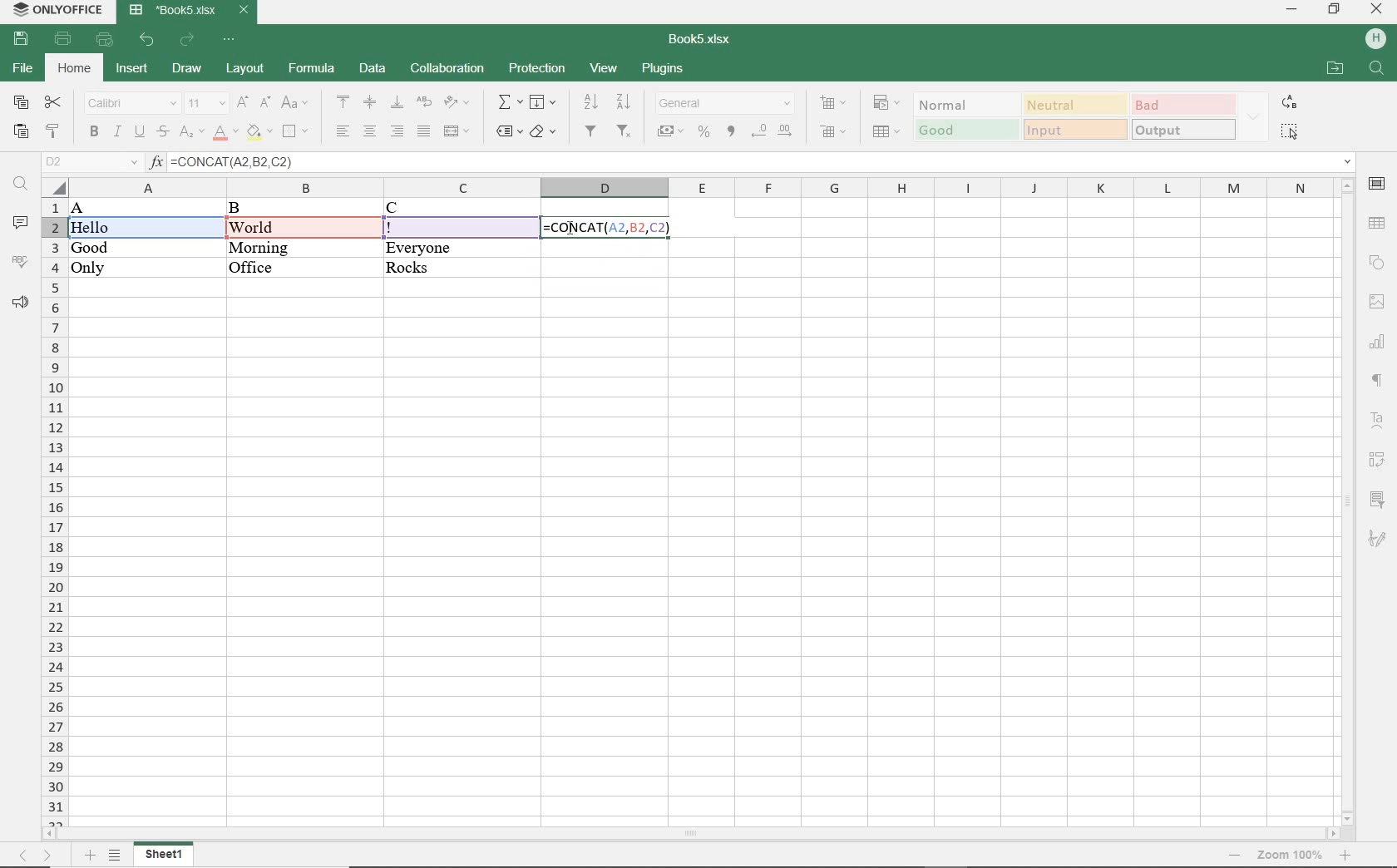 This screenshot has height=868, width=1397. What do you see at coordinates (371, 131) in the screenshot?
I see `ALIGN CENTER` at bounding box center [371, 131].